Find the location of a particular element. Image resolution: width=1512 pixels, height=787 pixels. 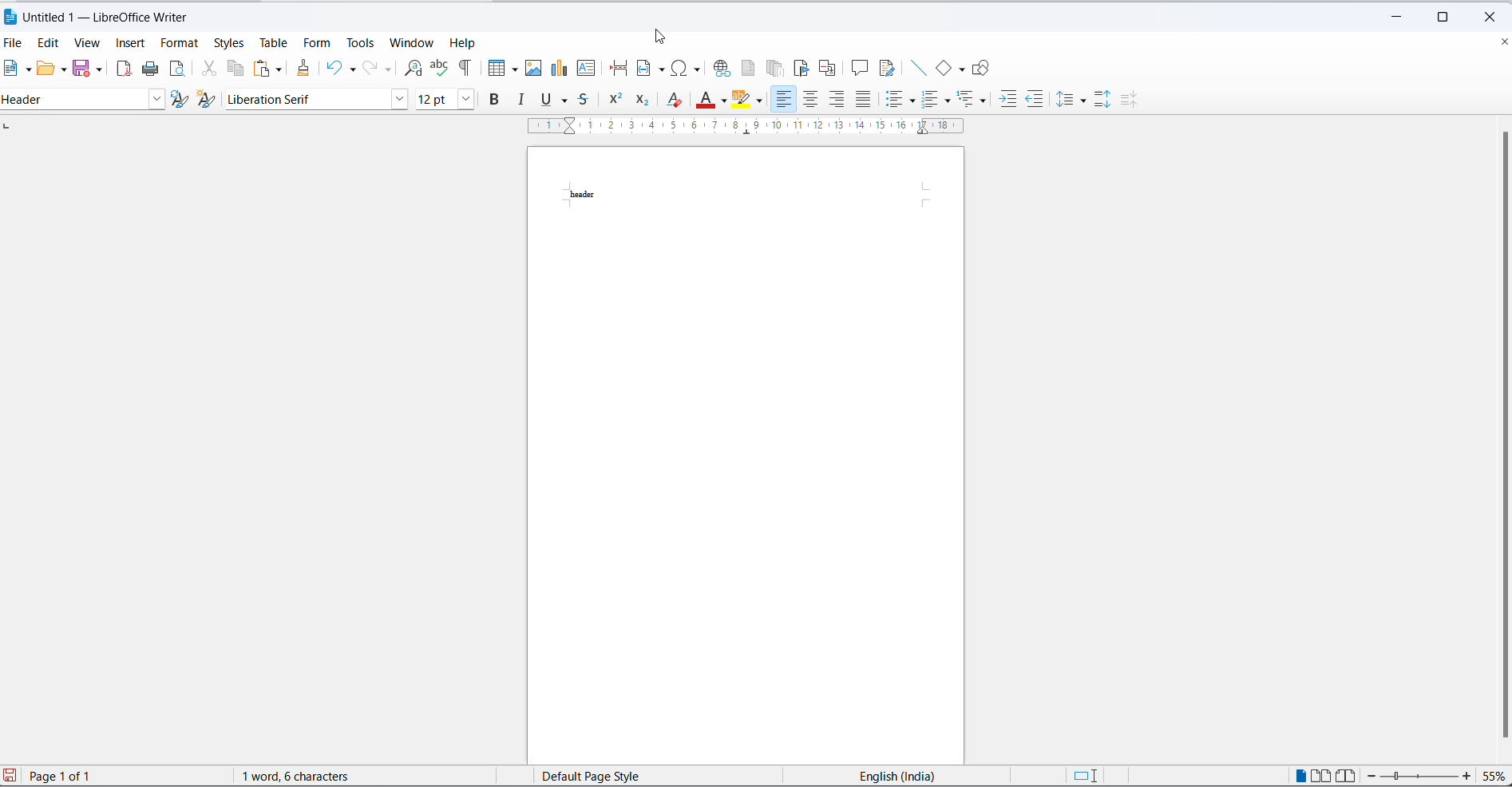

paste options is located at coordinates (261, 68).